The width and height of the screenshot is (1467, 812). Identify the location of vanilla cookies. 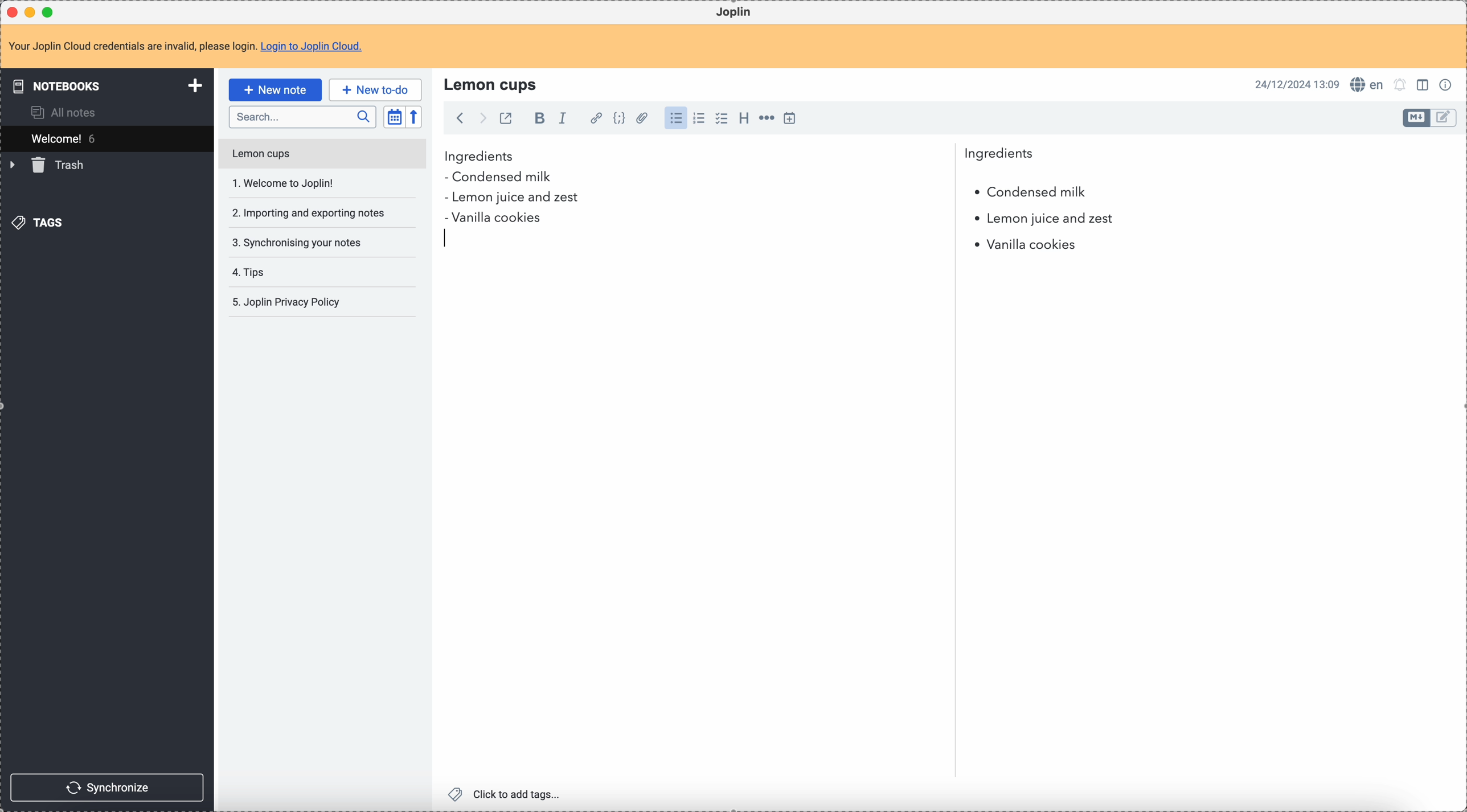
(1021, 245).